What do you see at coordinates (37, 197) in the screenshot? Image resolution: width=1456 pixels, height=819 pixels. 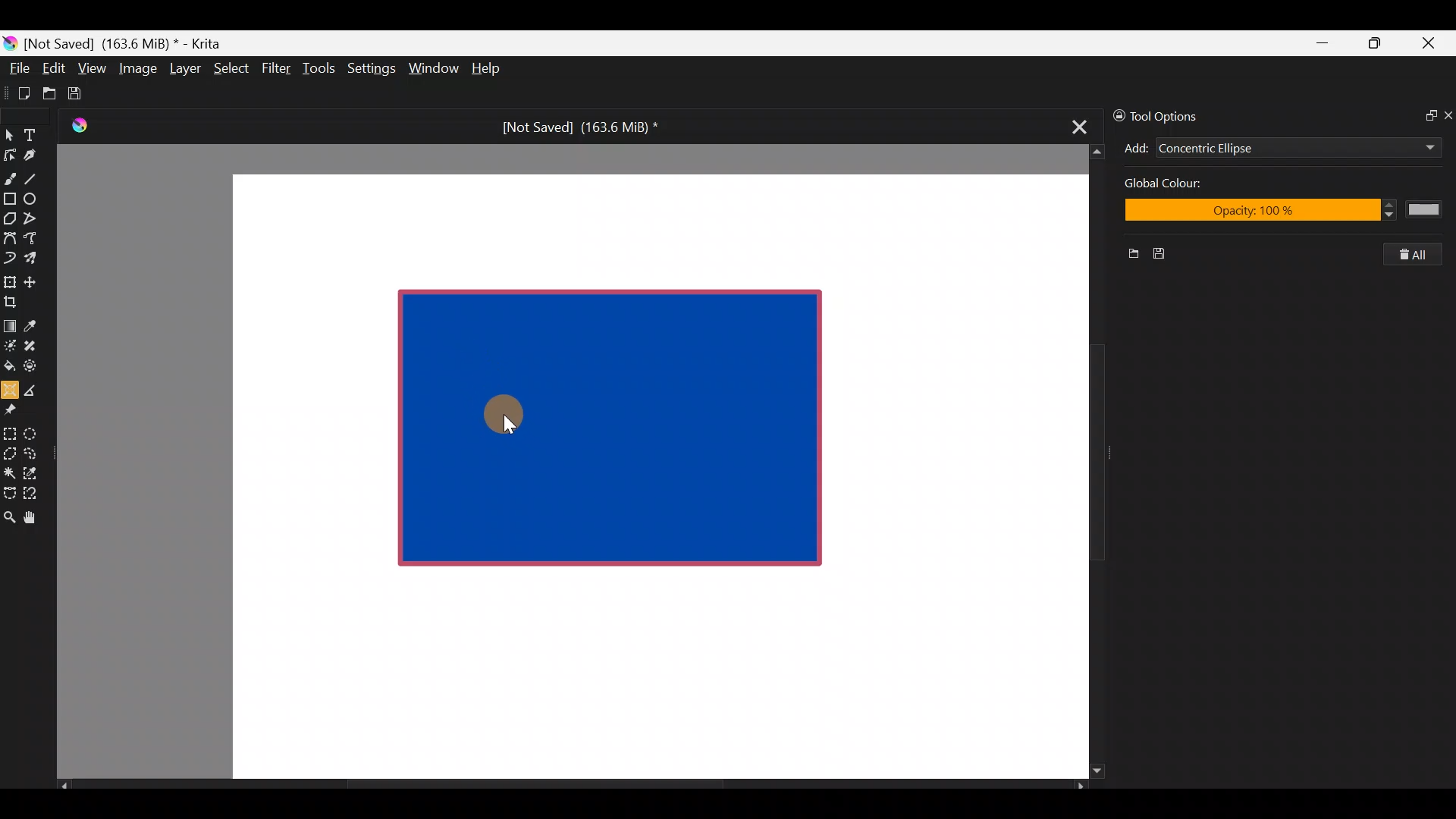 I see `Ellipse tool` at bounding box center [37, 197].